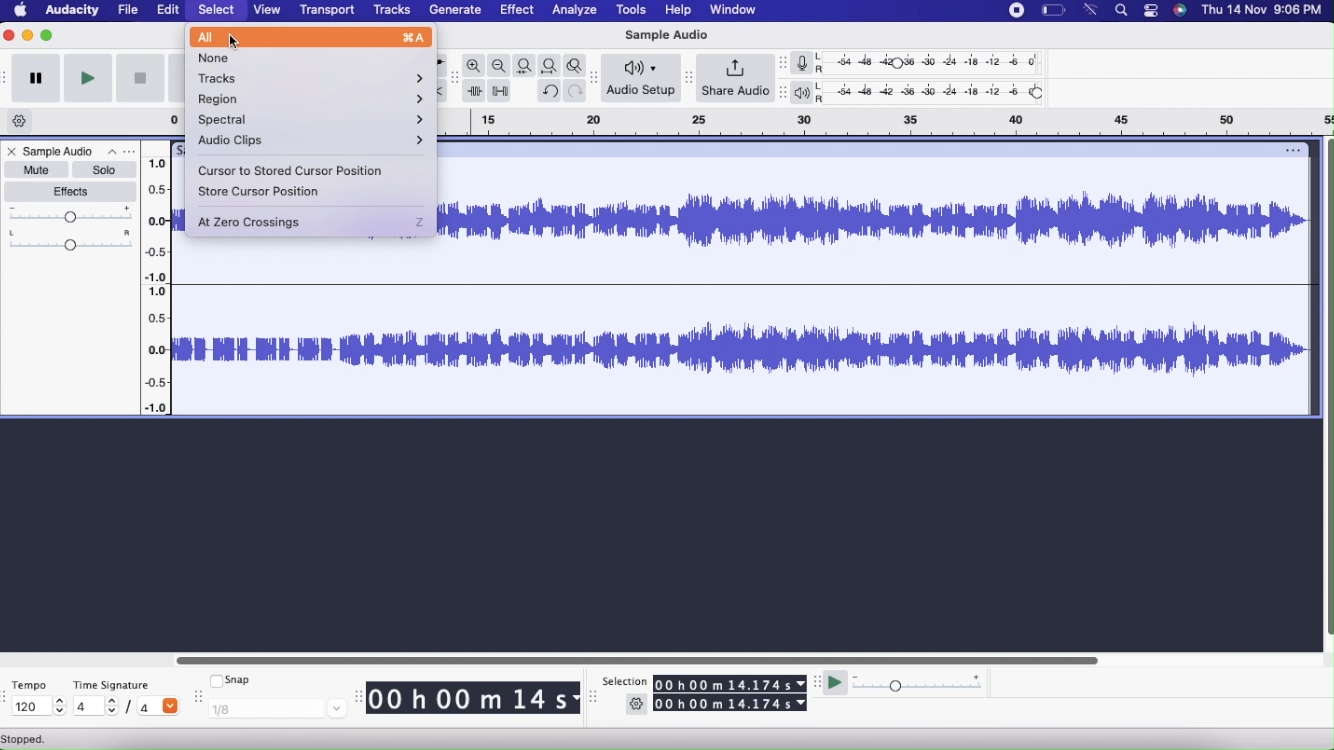  I want to click on 120, so click(40, 706).